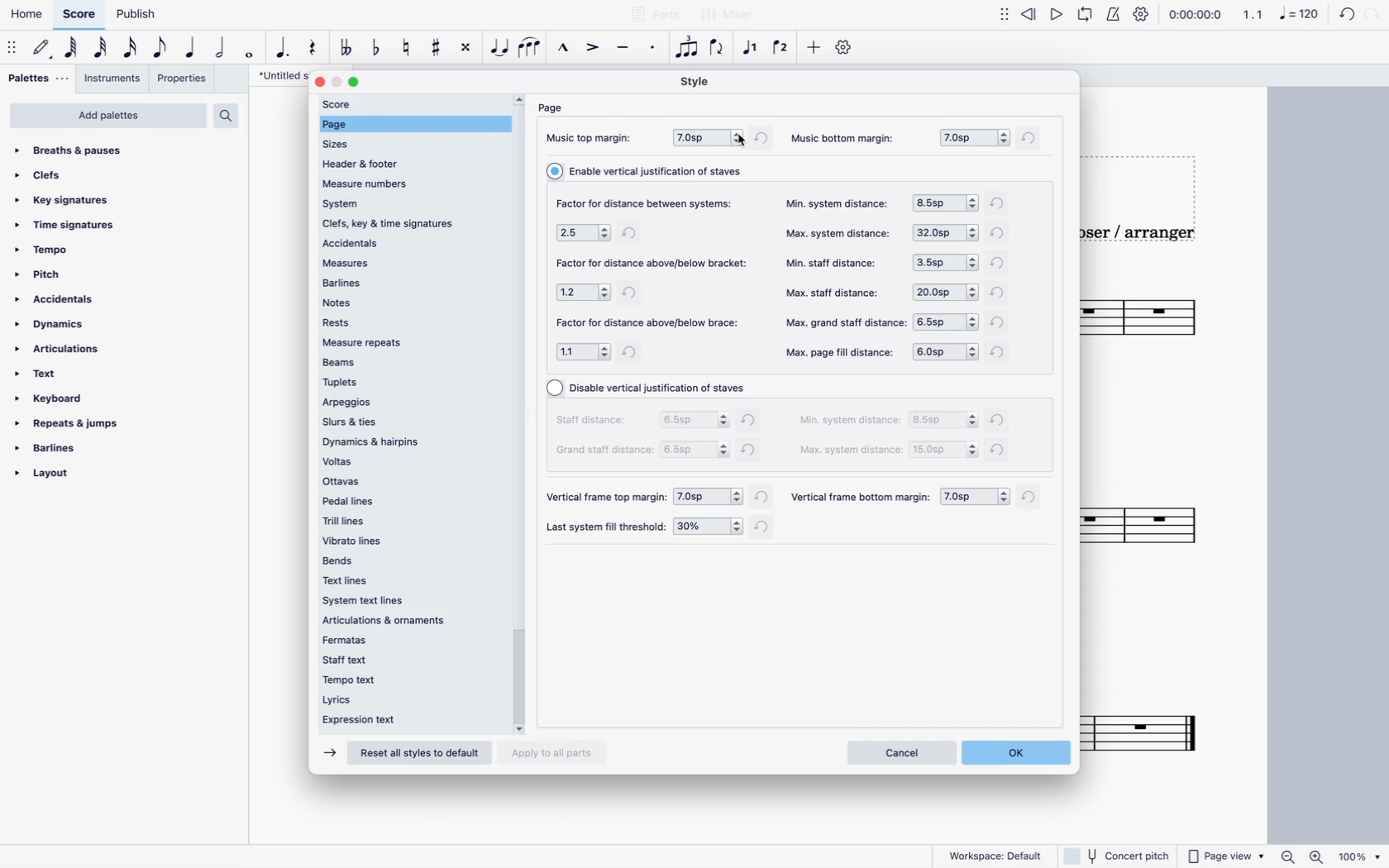 This screenshot has width=1389, height=868. What do you see at coordinates (520, 409) in the screenshot?
I see `scroll bar` at bounding box center [520, 409].